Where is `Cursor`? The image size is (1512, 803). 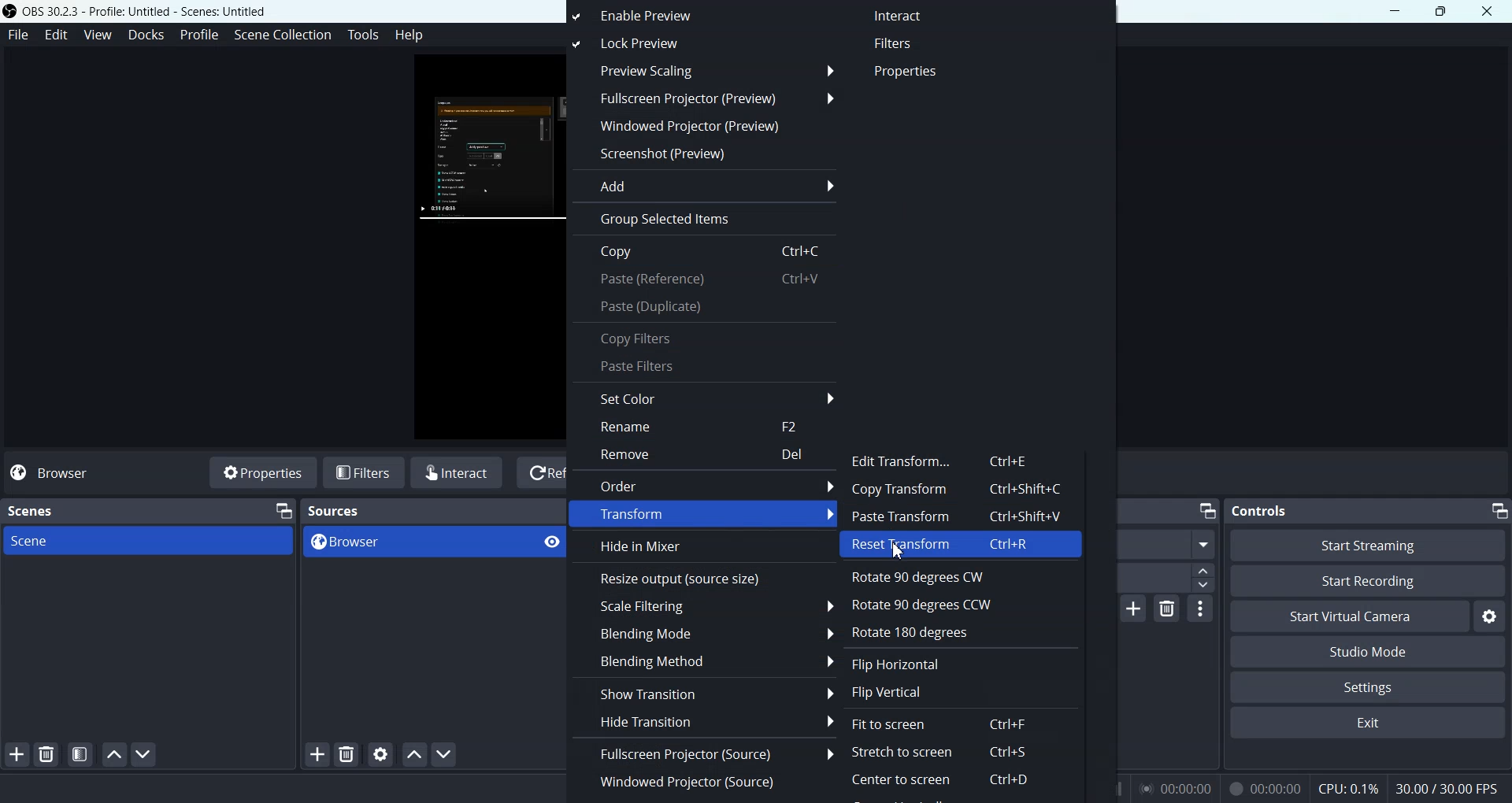 Cursor is located at coordinates (903, 553).